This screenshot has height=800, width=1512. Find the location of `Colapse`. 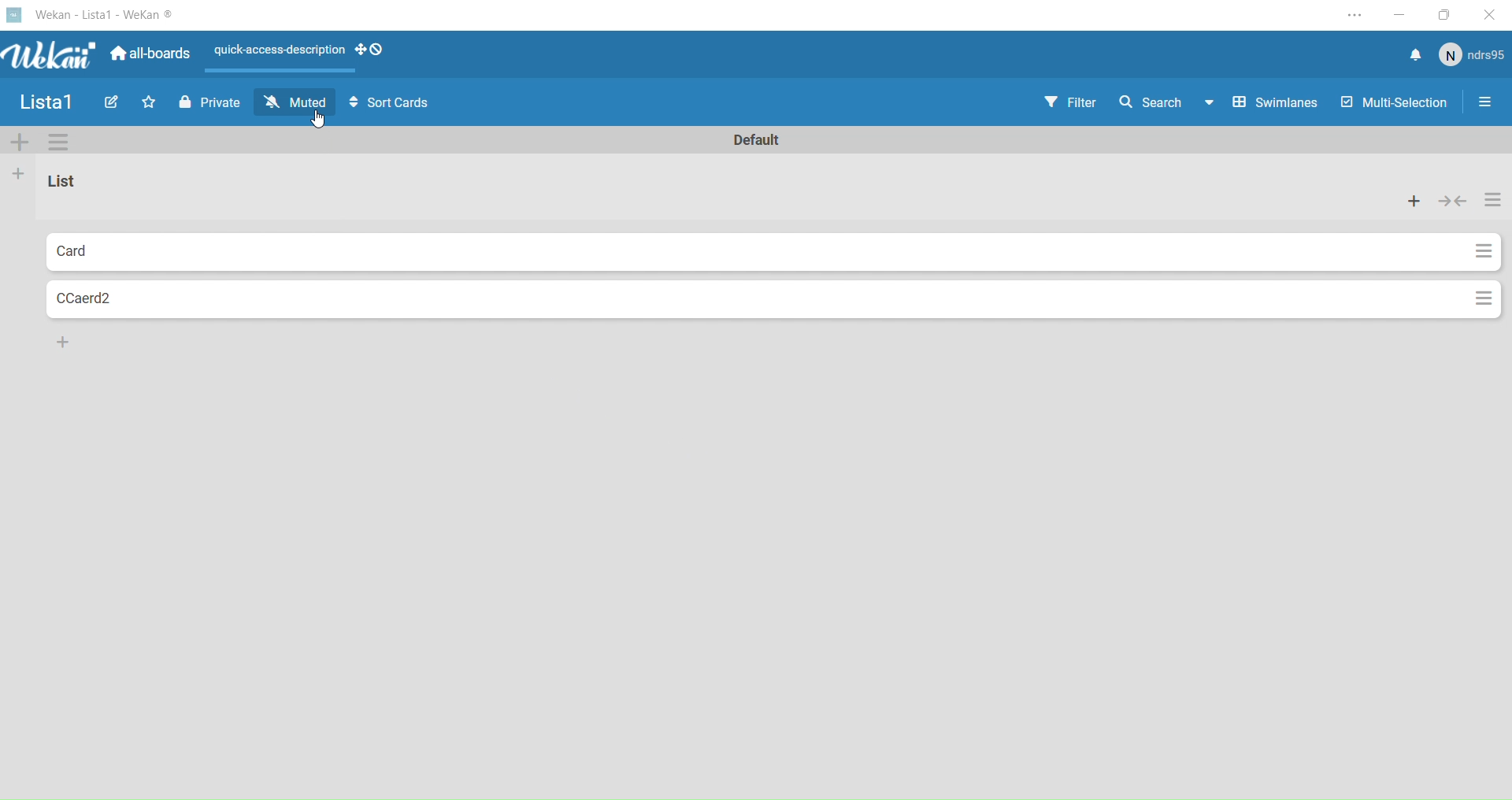

Colapse is located at coordinates (1455, 201).